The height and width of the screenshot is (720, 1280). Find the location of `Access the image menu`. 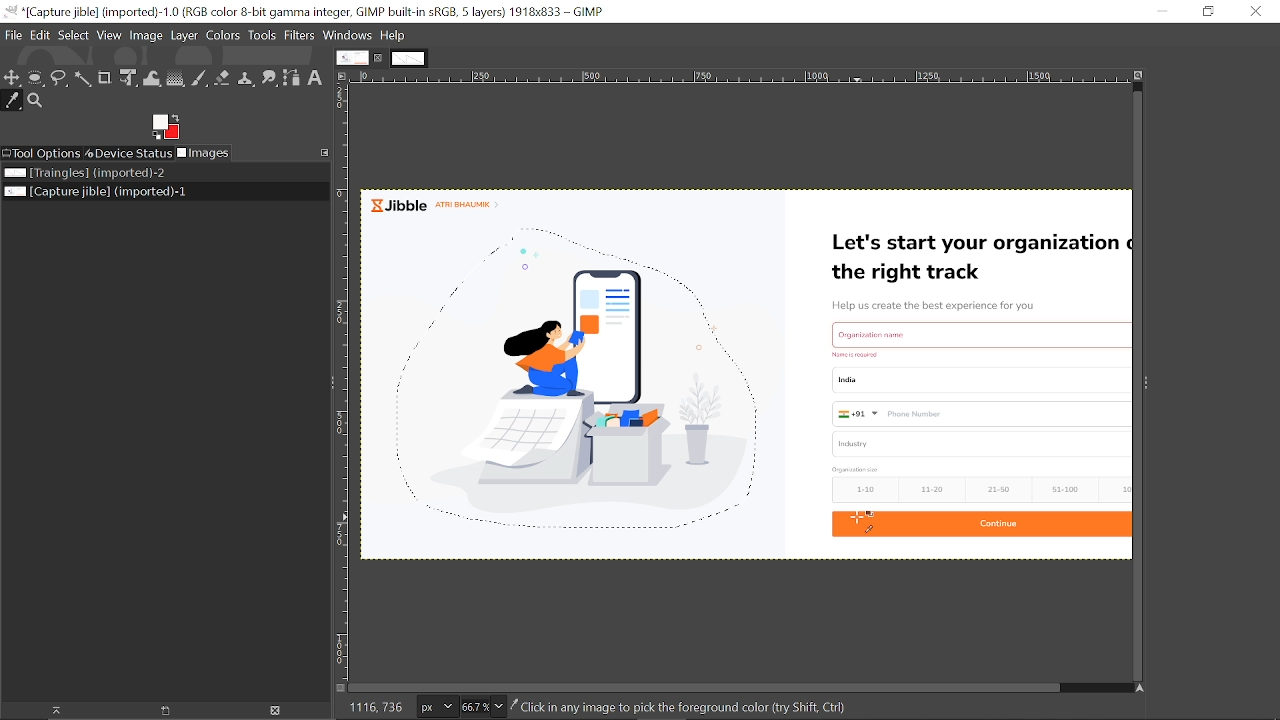

Access the image menu is located at coordinates (341, 75).